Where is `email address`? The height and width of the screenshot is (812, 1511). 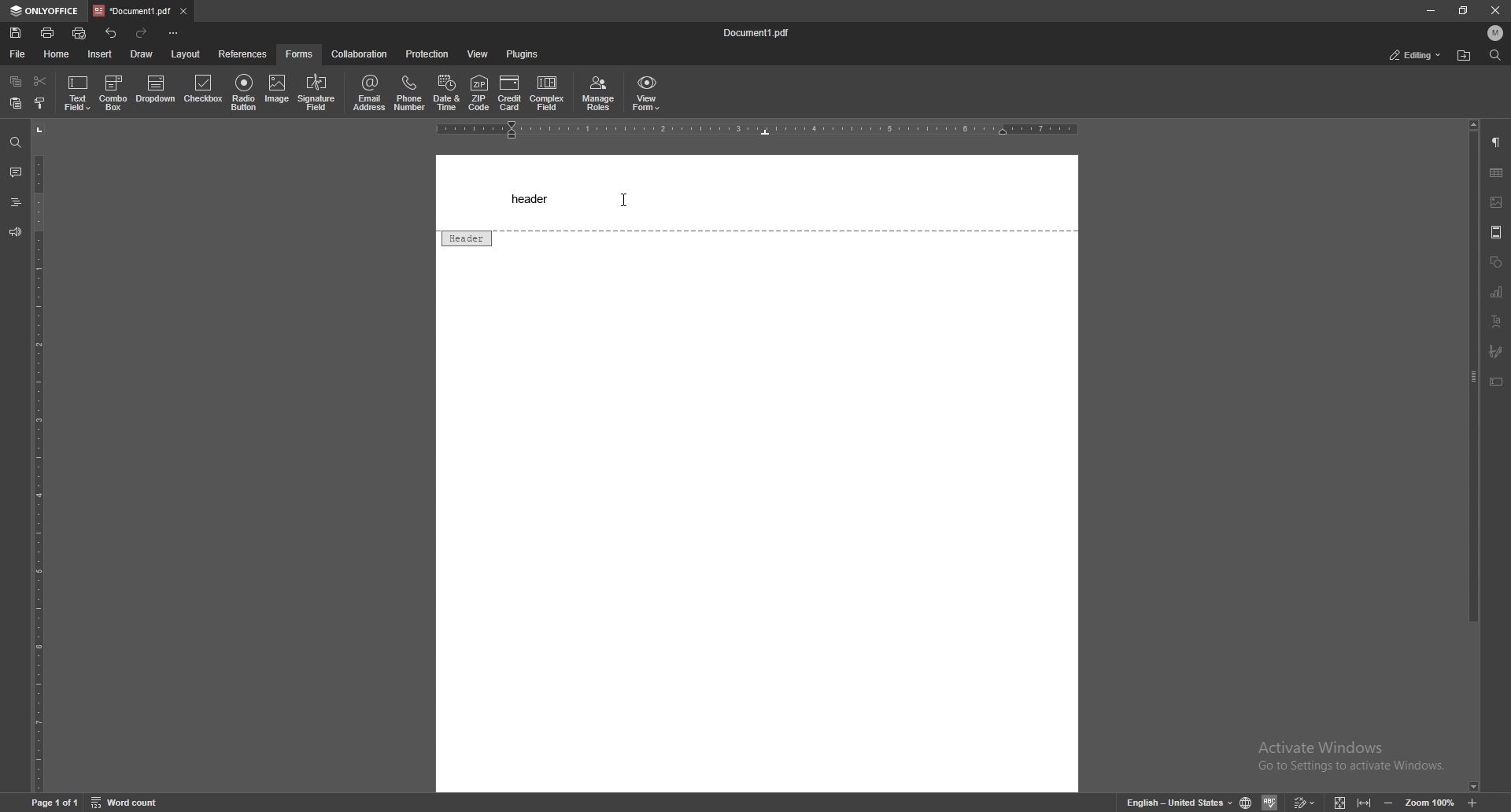
email address is located at coordinates (370, 93).